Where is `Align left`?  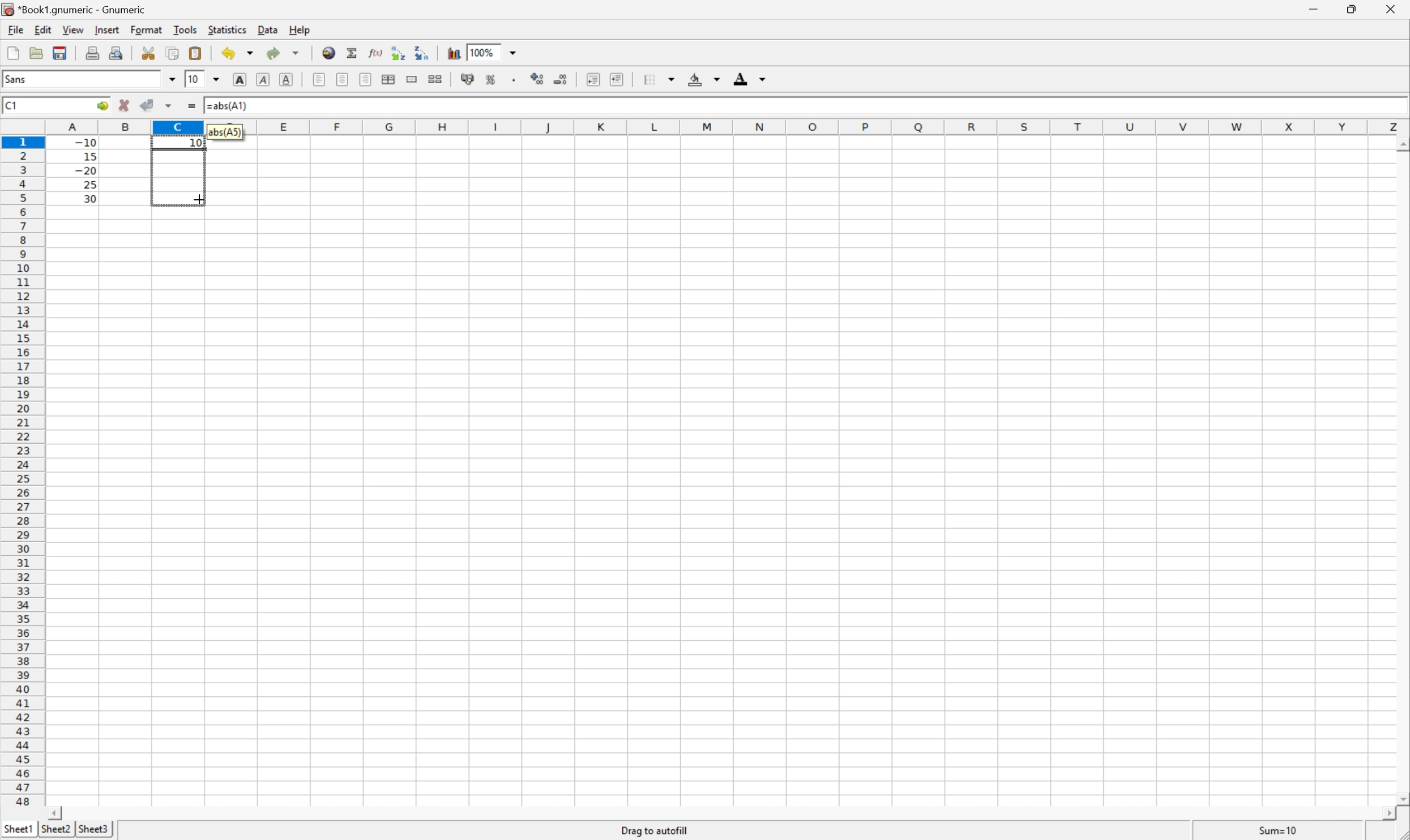 Align left is located at coordinates (318, 78).